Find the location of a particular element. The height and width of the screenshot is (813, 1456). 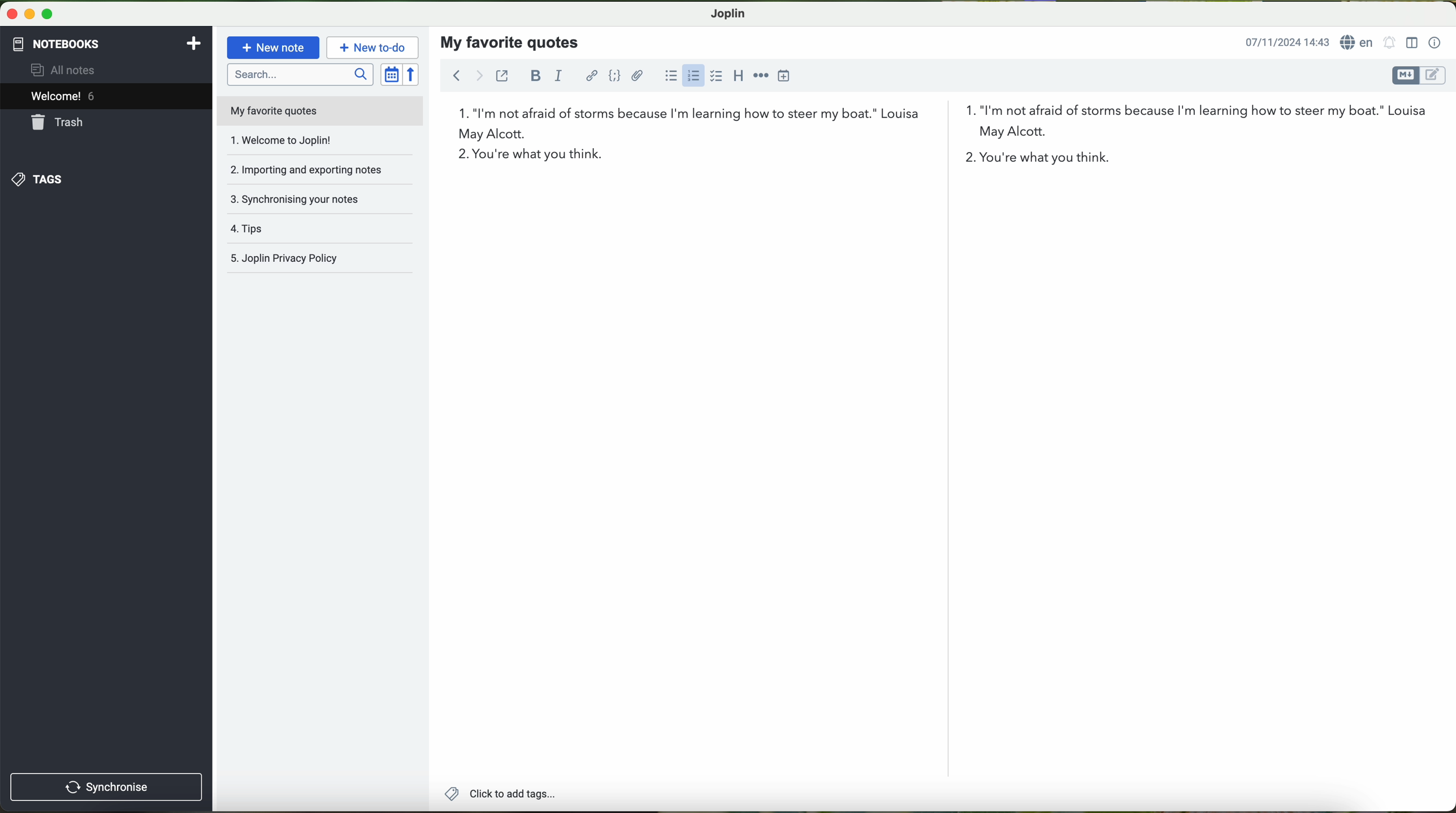

italic is located at coordinates (561, 76).